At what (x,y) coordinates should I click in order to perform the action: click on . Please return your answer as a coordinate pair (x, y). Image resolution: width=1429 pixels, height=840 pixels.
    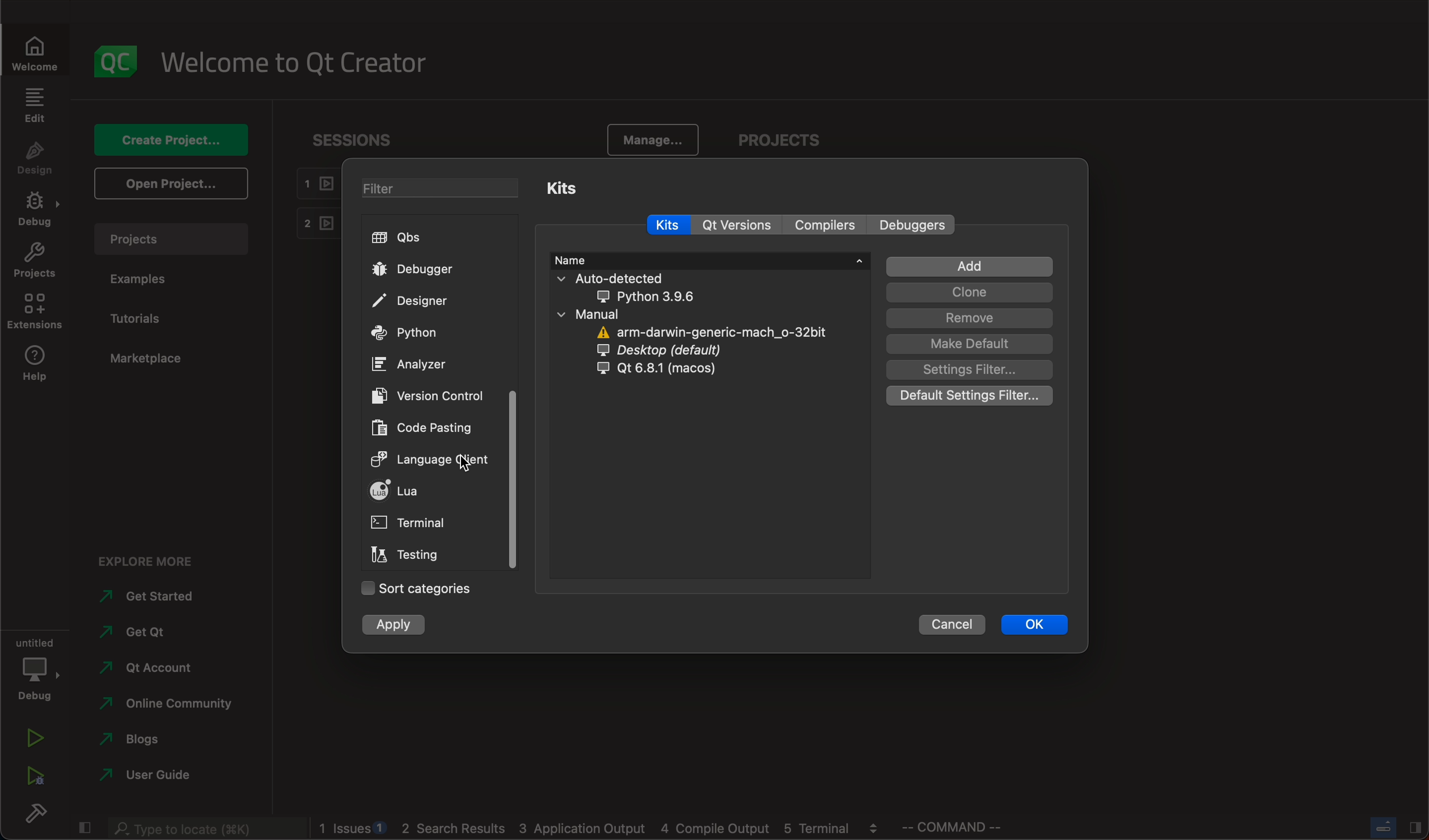
    Looking at the image, I should click on (912, 224).